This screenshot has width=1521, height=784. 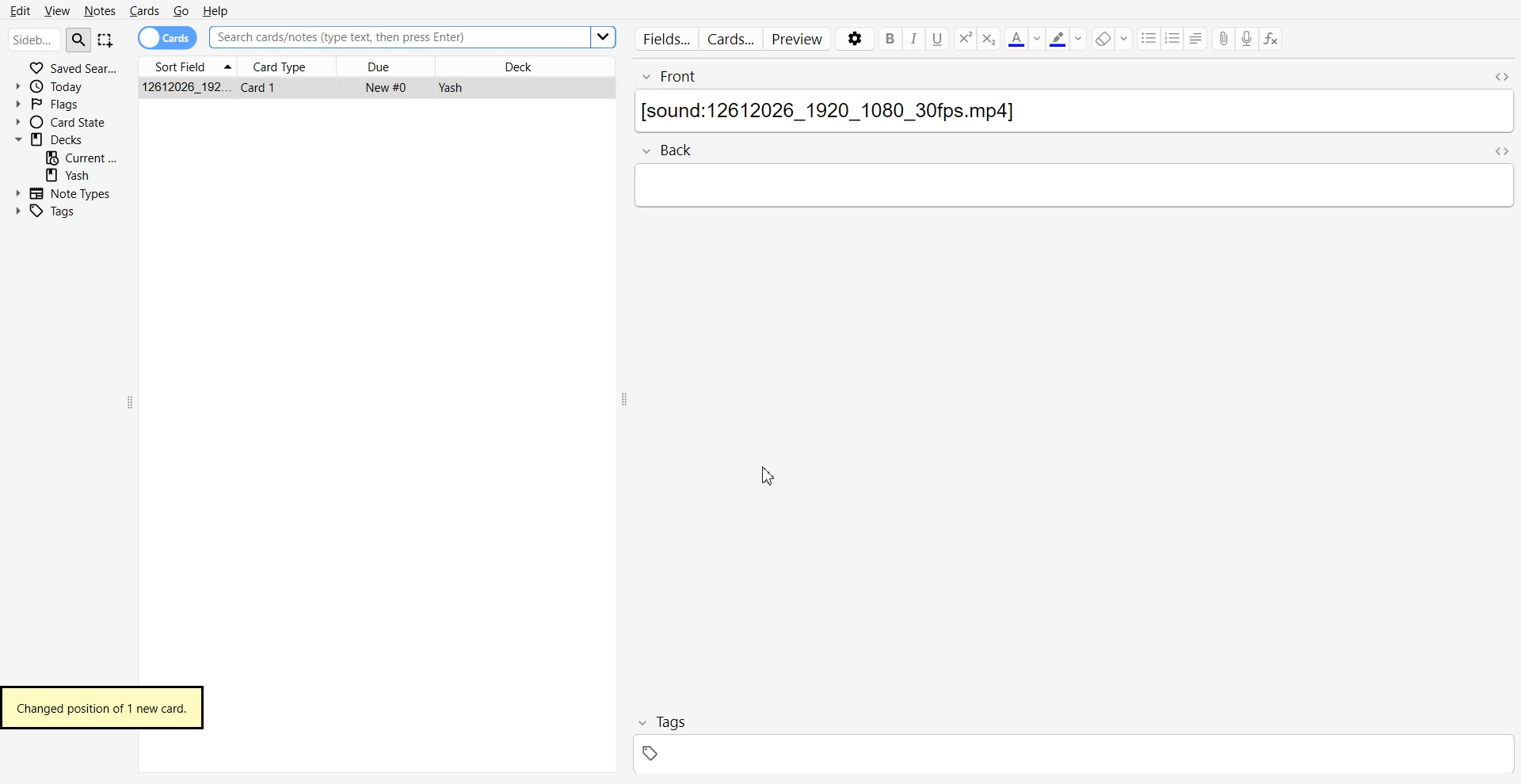 I want to click on Search, so click(x=79, y=39).